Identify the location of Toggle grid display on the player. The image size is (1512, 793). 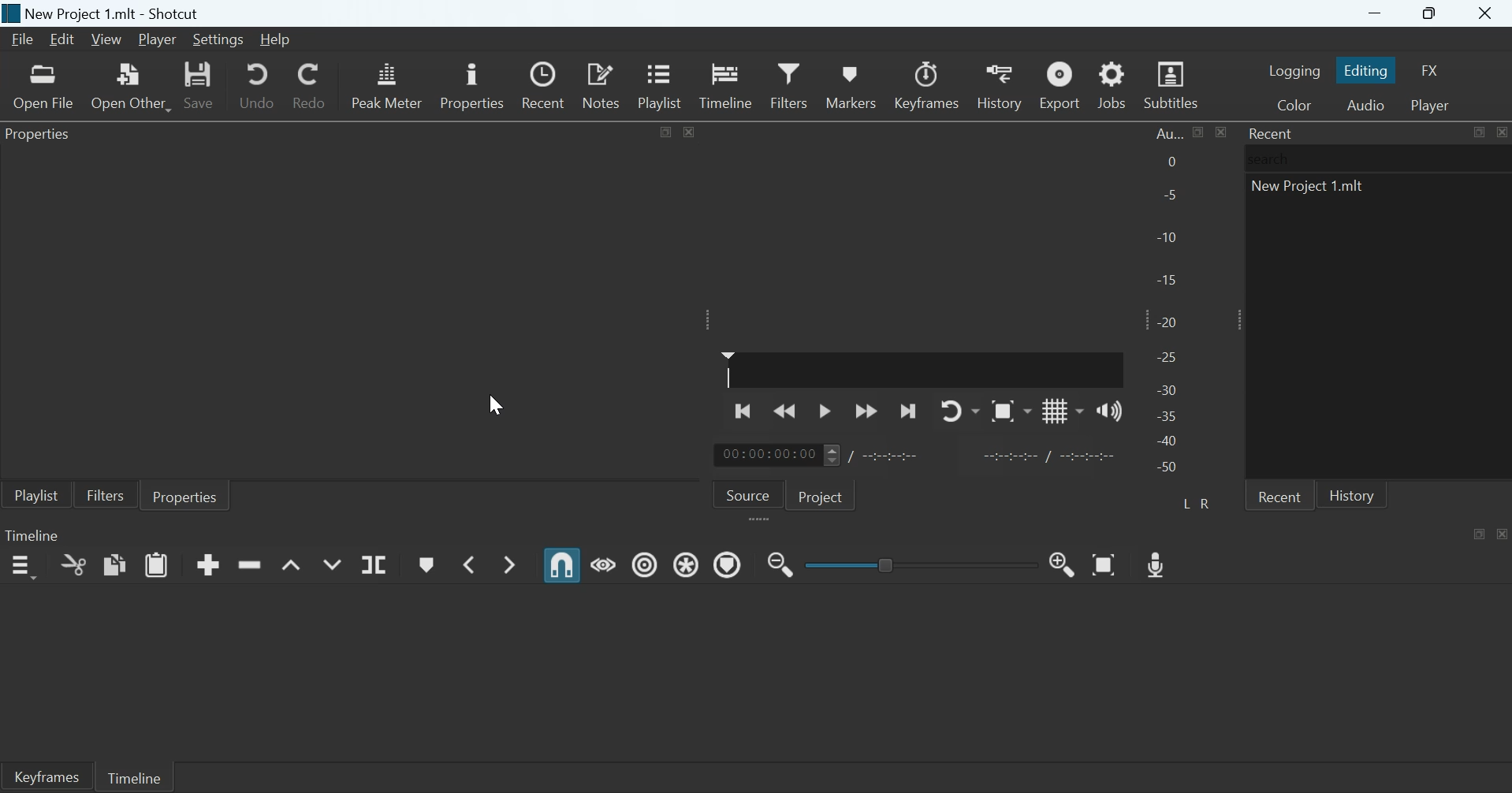
(1063, 410).